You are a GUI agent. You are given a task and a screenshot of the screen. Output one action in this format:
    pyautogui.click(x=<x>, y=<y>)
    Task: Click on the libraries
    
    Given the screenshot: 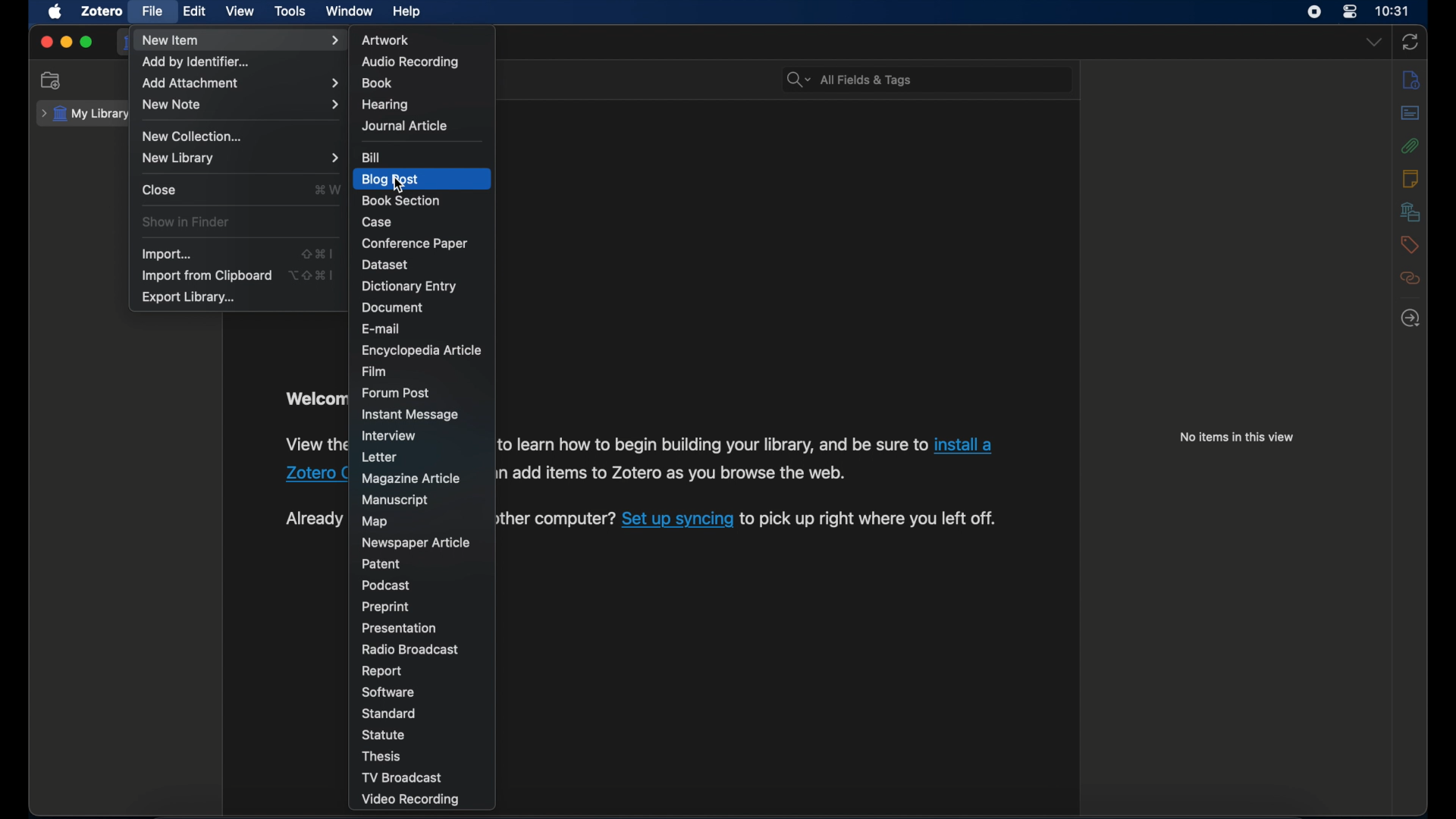 What is the action you would take?
    pyautogui.click(x=1410, y=212)
    